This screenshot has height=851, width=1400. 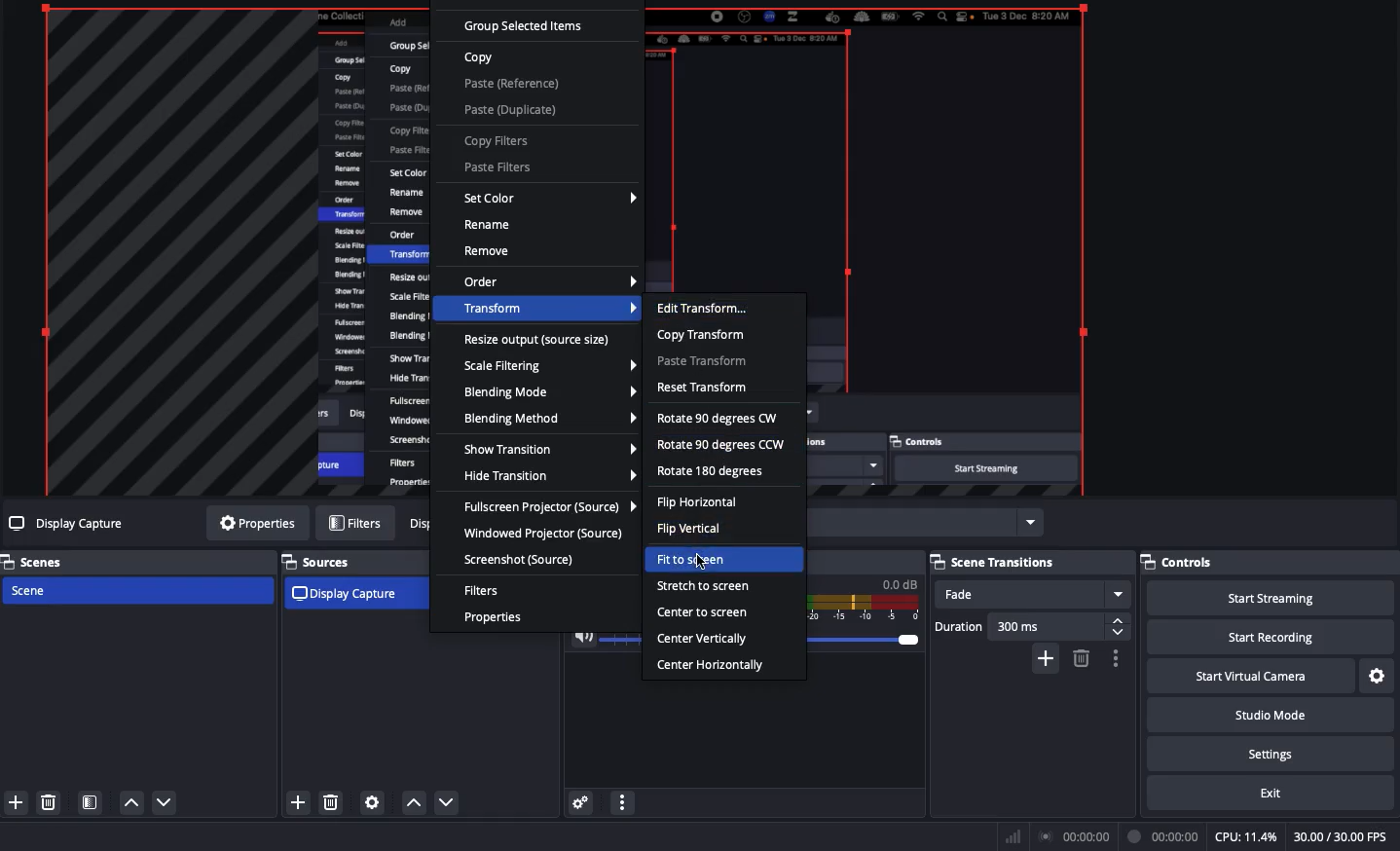 What do you see at coordinates (488, 225) in the screenshot?
I see `Rename` at bounding box center [488, 225].